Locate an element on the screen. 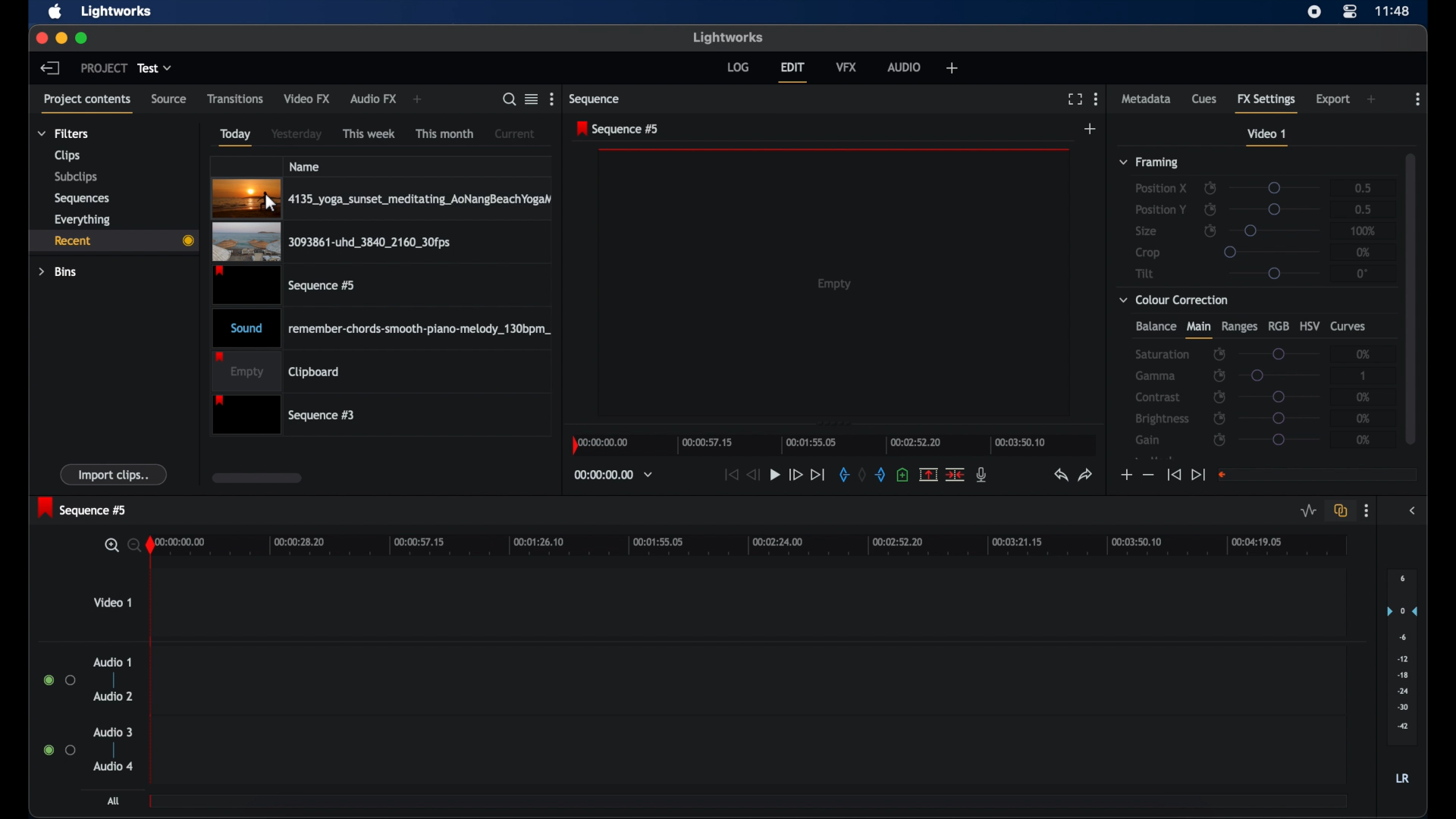 The image size is (1456, 819). curves is located at coordinates (1350, 327).